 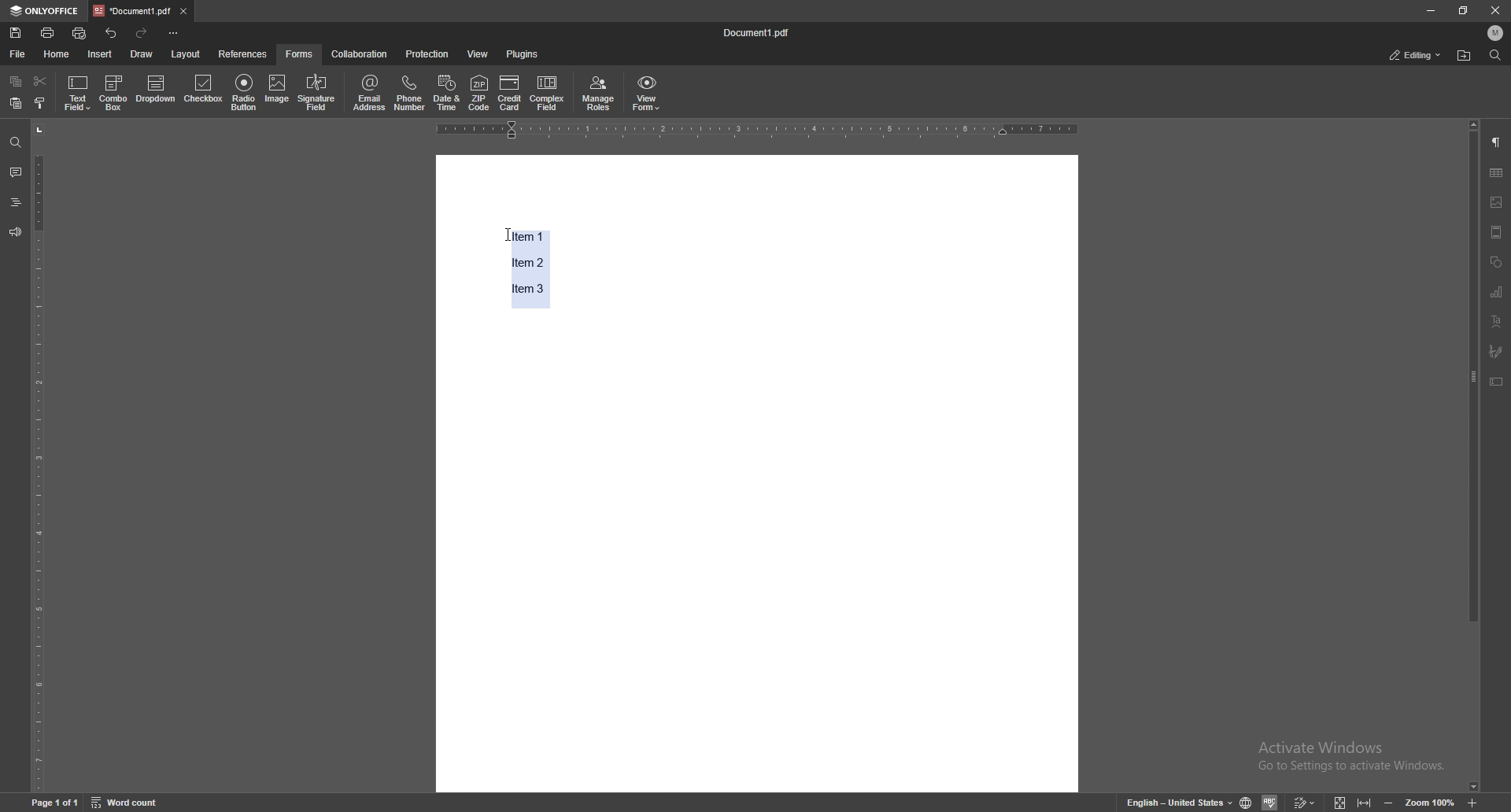 What do you see at coordinates (1498, 202) in the screenshot?
I see `image` at bounding box center [1498, 202].